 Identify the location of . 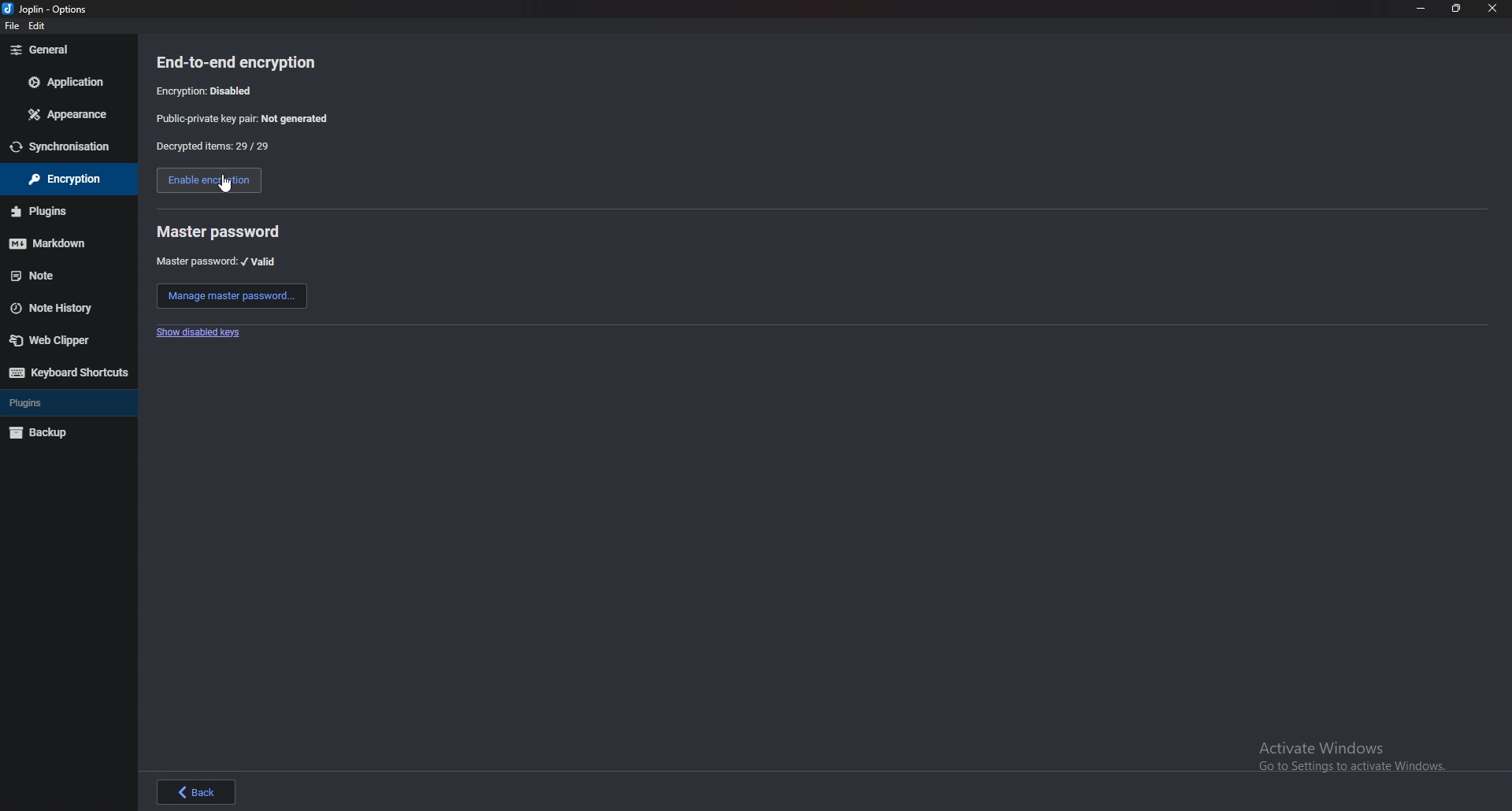
(30, 276).